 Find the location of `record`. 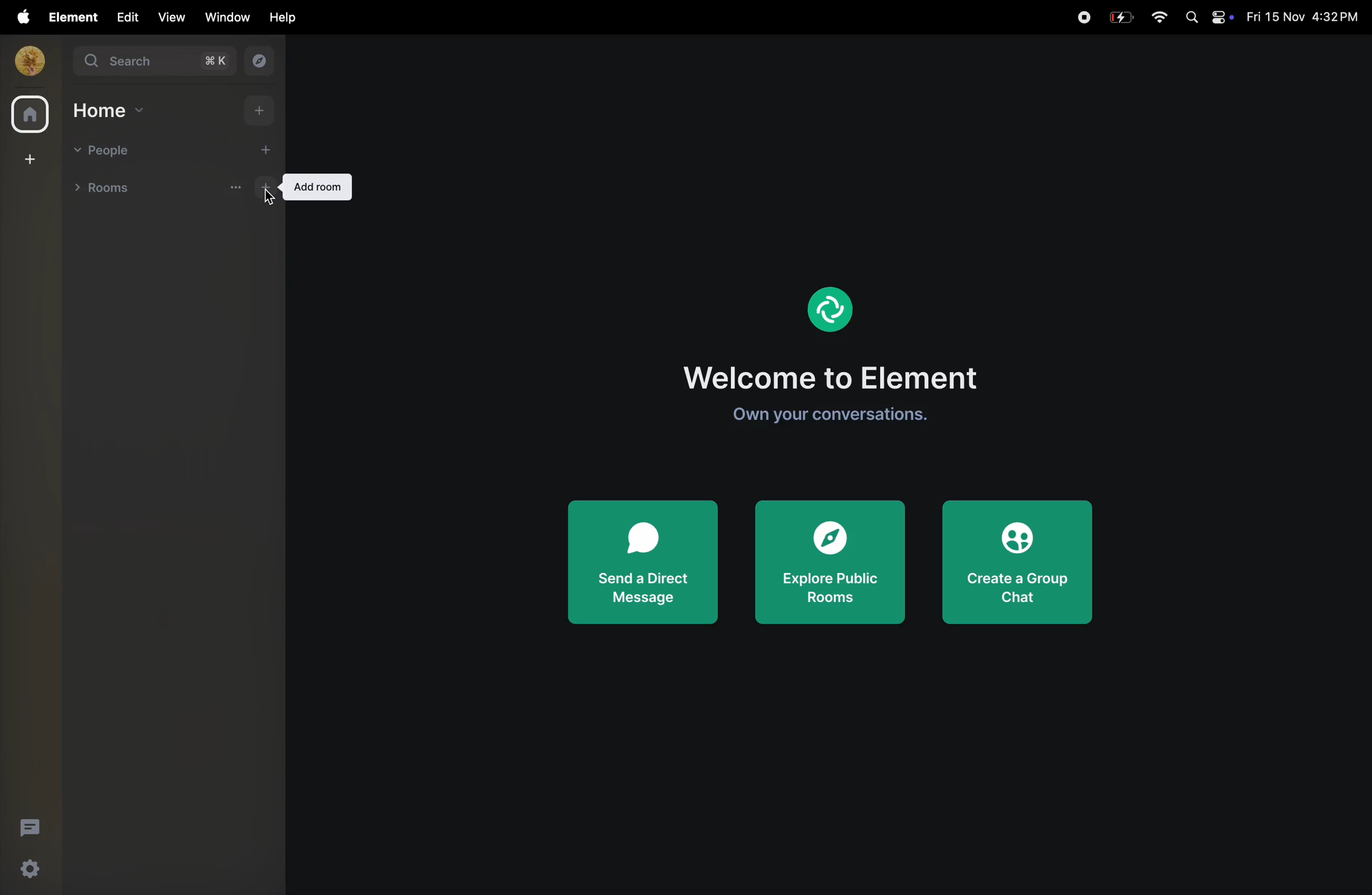

record is located at coordinates (1083, 16).